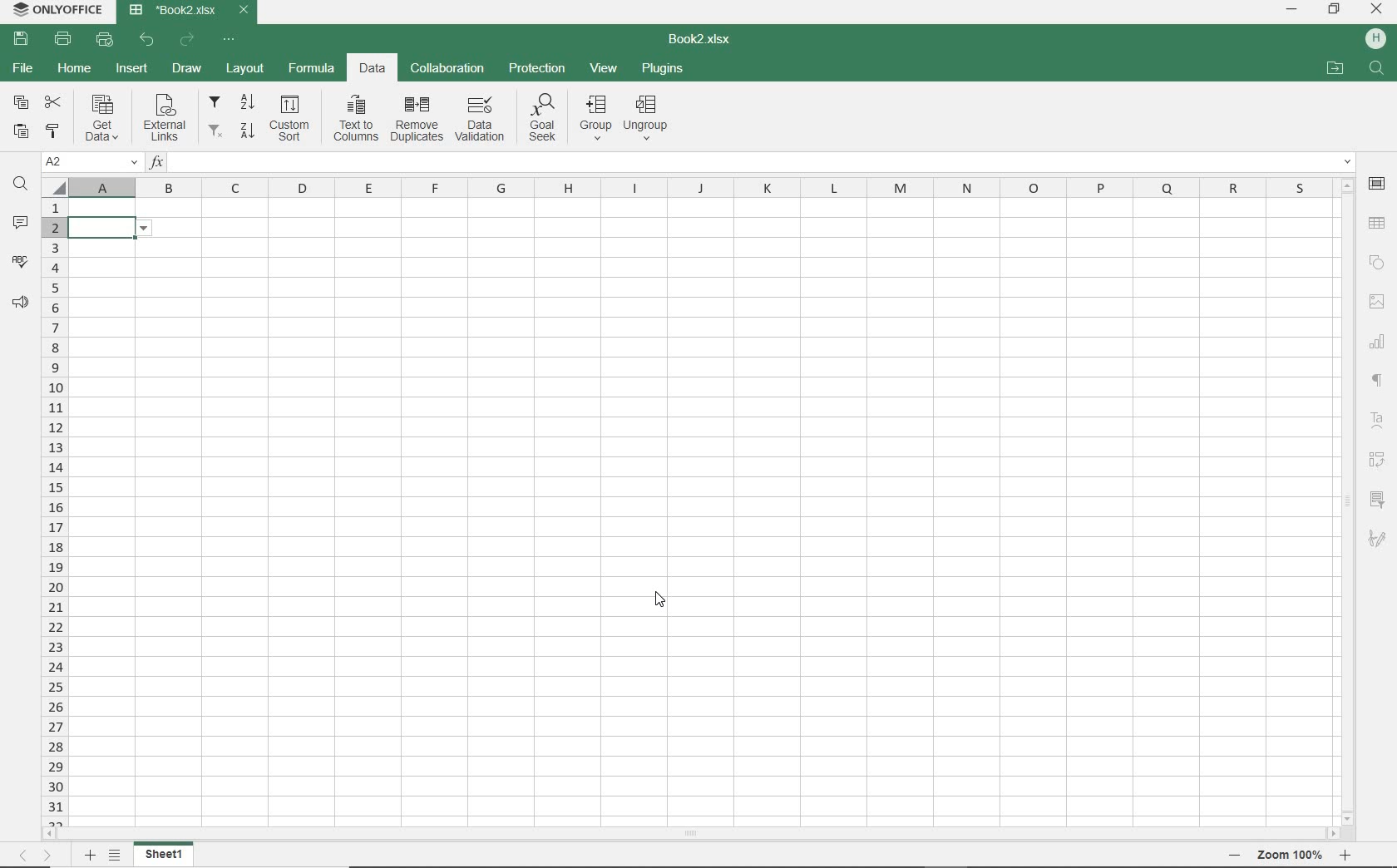 The image size is (1397, 868). Describe the element at coordinates (248, 133) in the screenshot. I see `sort descending` at that location.